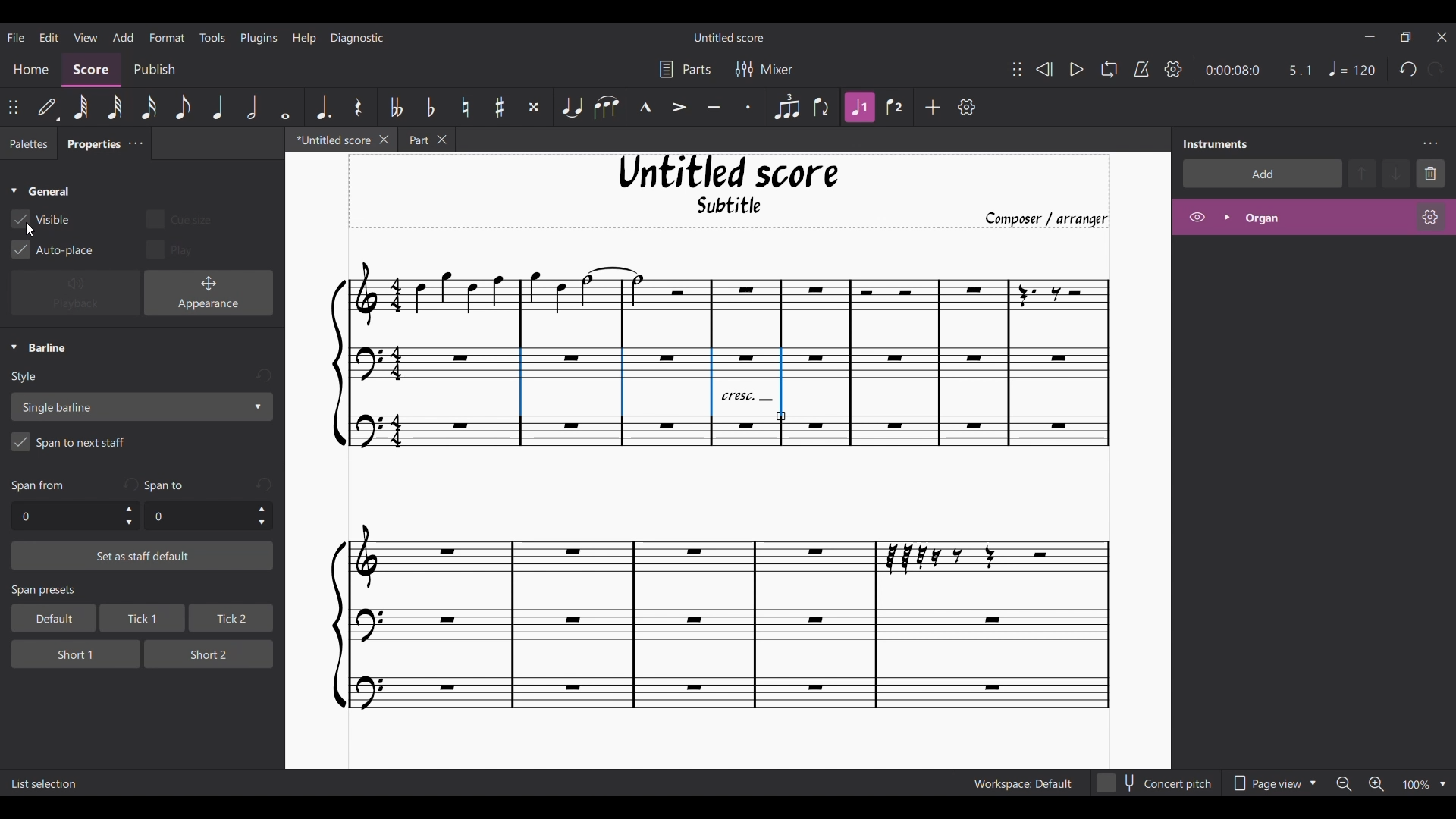 The image size is (1456, 819). What do you see at coordinates (786, 107) in the screenshot?
I see `Tuplet` at bounding box center [786, 107].